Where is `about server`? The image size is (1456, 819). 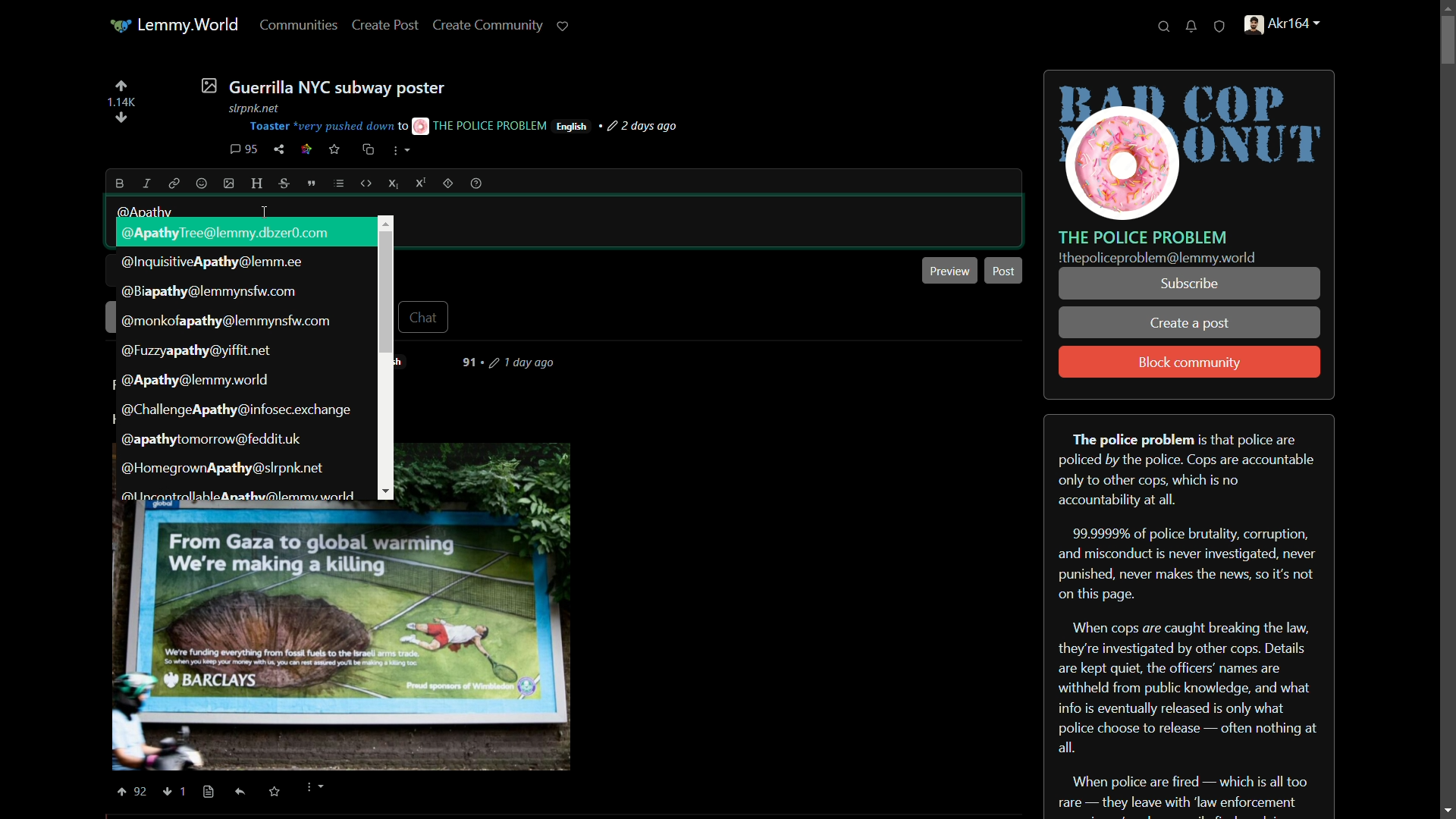
about server is located at coordinates (1189, 615).